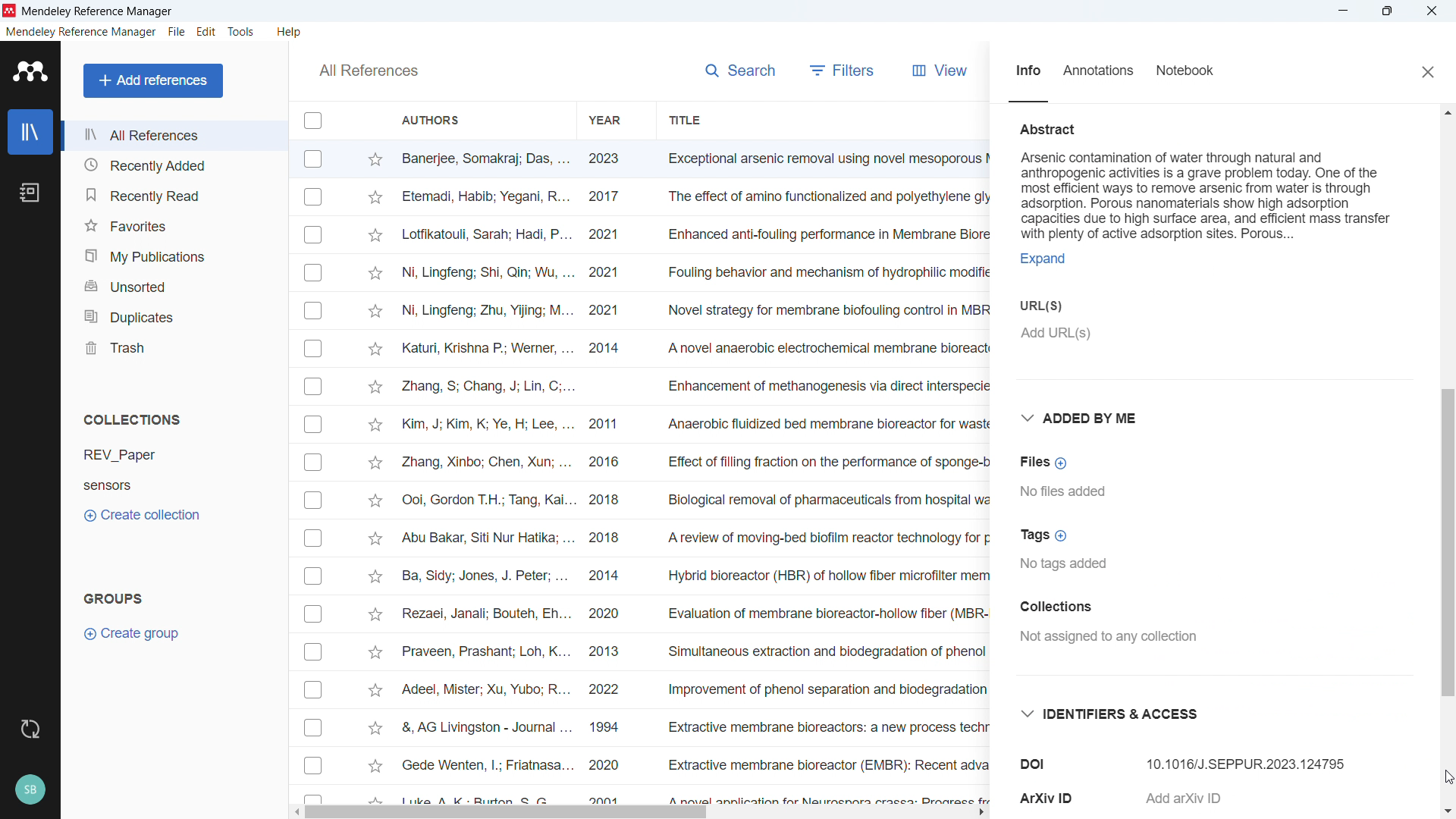 The image size is (1456, 819). Describe the element at coordinates (488, 386) in the screenshot. I see `zhang,s,chang,j,lin,c` at that location.